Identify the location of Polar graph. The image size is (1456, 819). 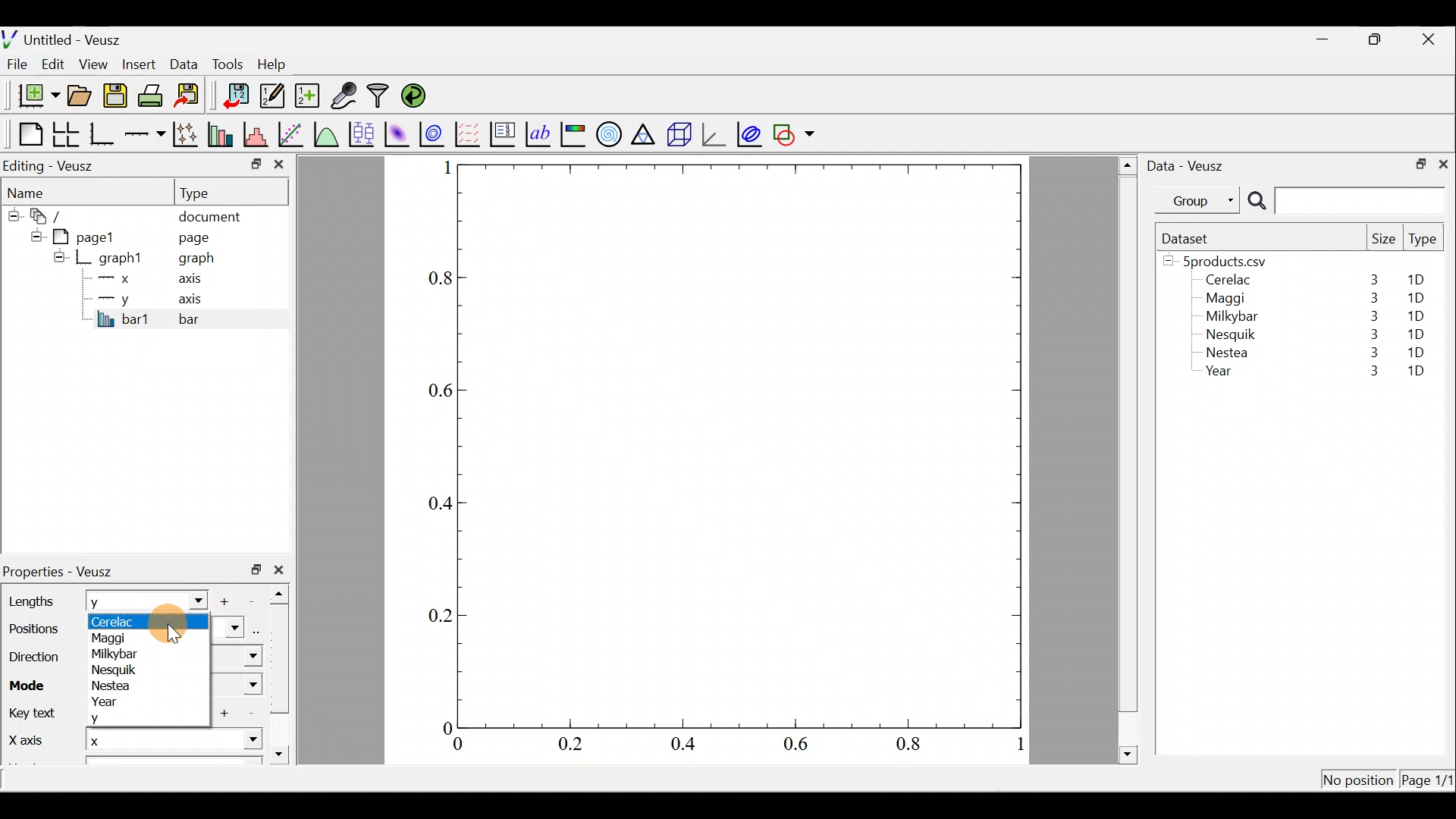
(606, 132).